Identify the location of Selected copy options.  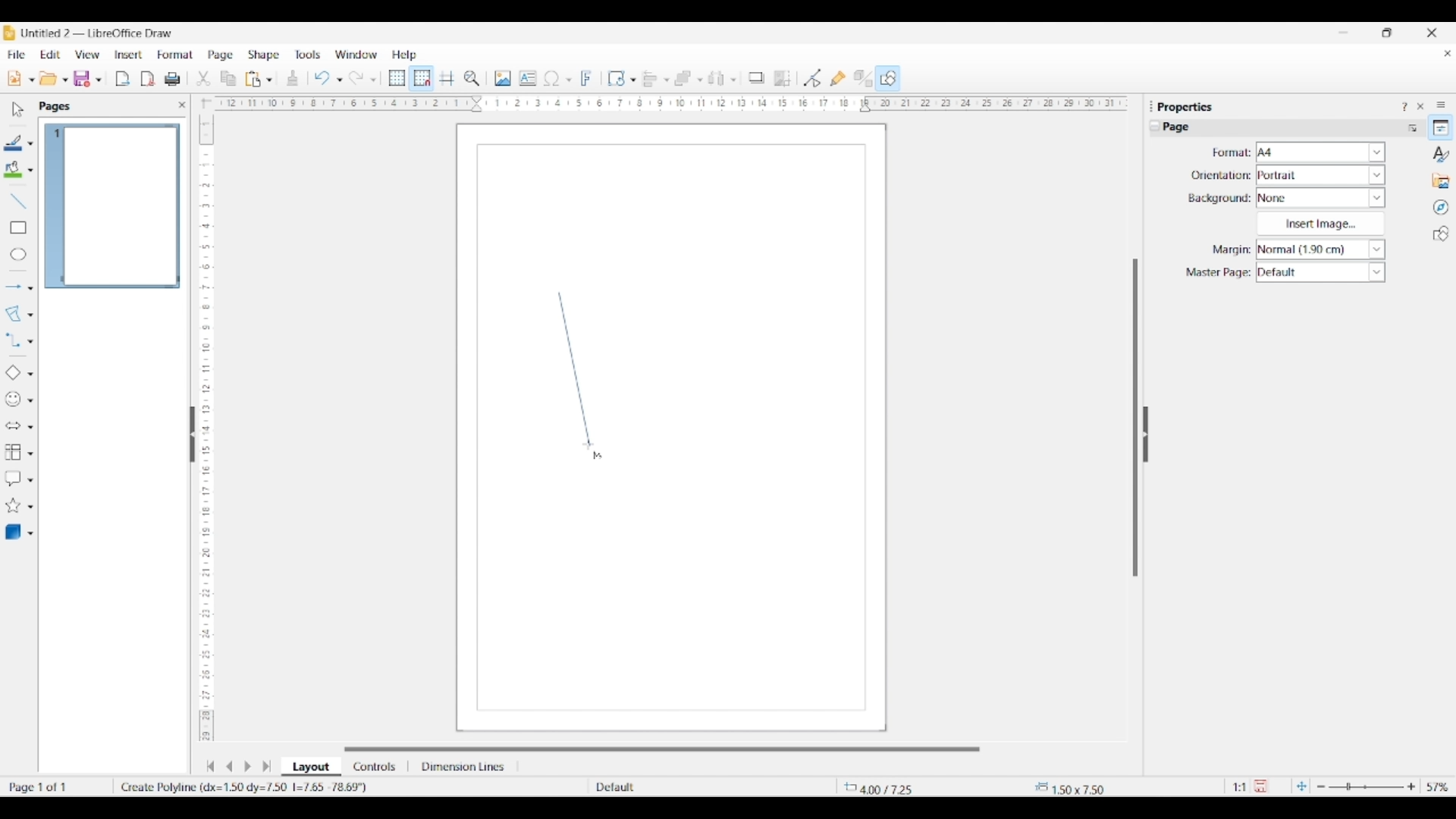
(228, 79).